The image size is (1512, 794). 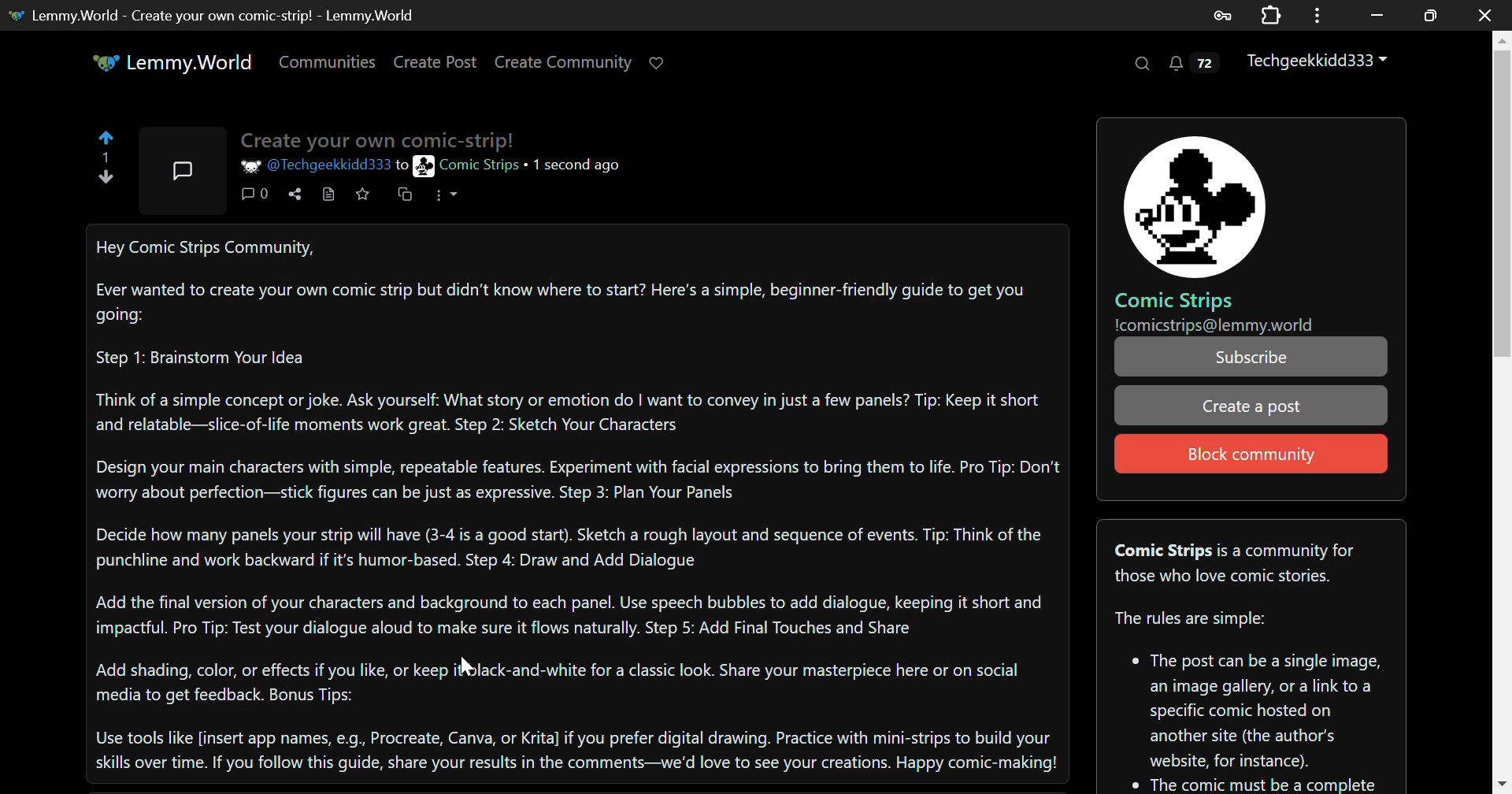 I want to click on 1 second ago, so click(x=576, y=164).